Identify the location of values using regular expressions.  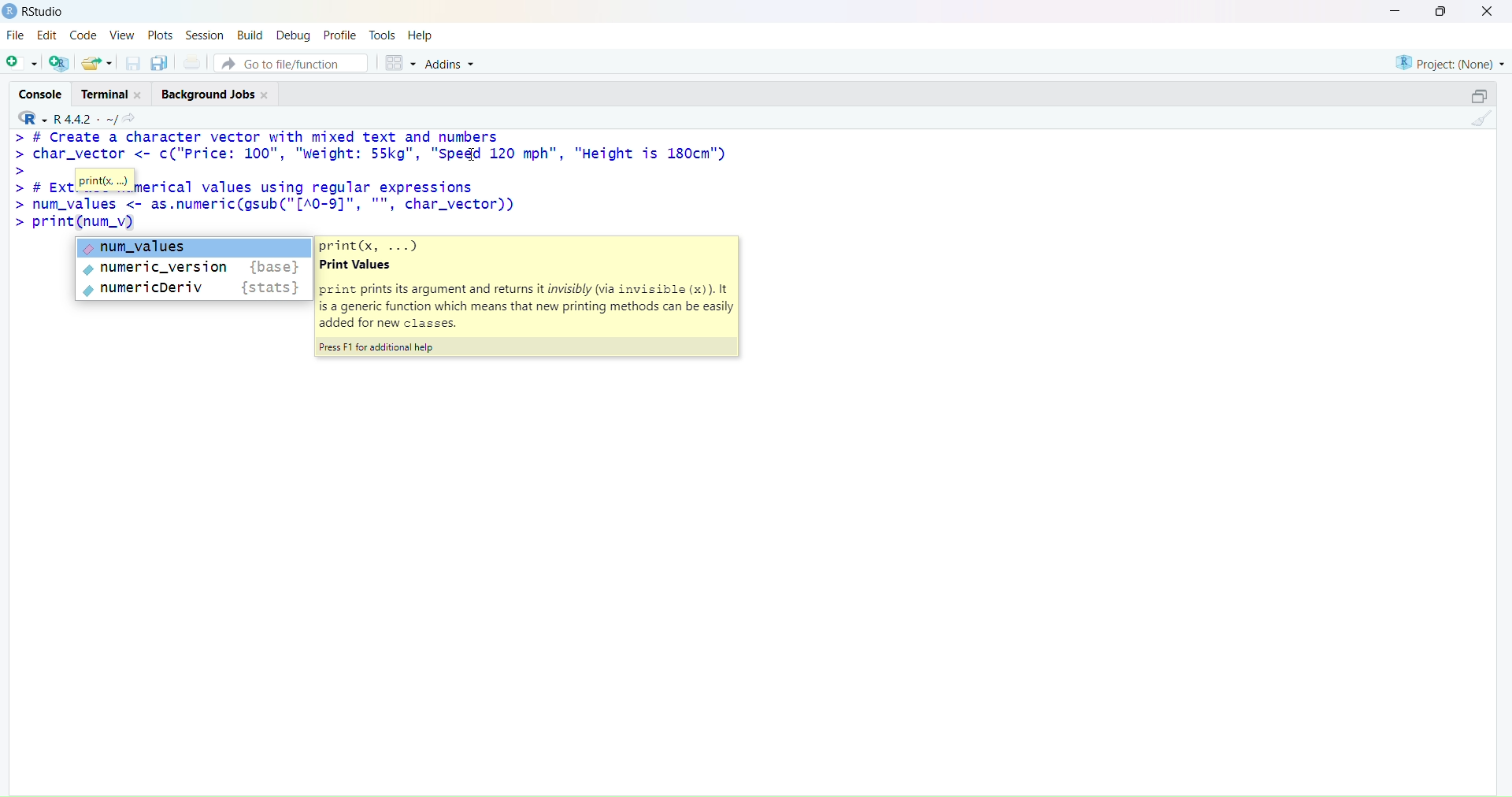
(339, 186).